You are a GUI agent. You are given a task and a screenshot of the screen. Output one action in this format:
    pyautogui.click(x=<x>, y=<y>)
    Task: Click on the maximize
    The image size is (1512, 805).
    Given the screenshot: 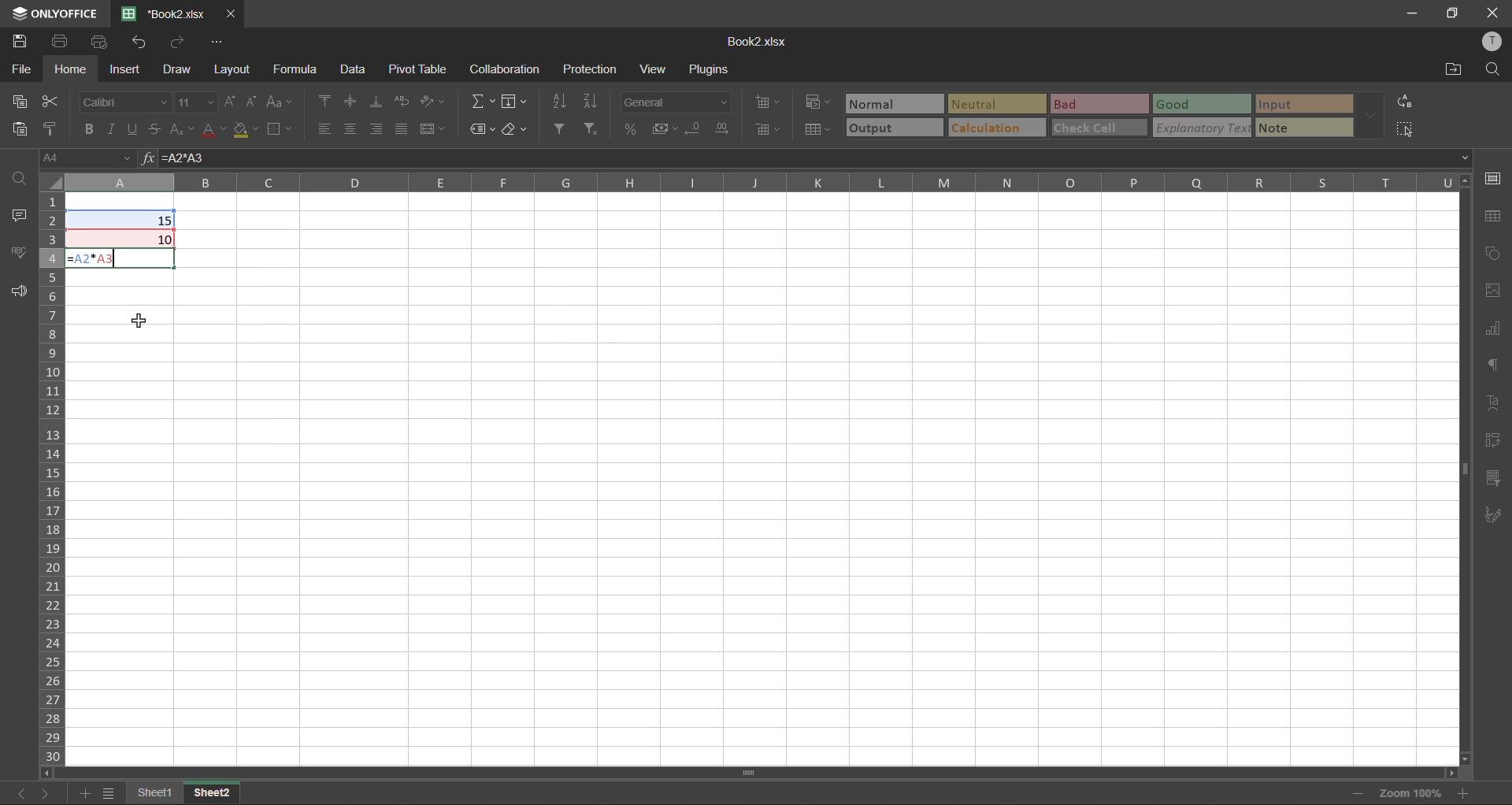 What is the action you would take?
    pyautogui.click(x=1452, y=13)
    